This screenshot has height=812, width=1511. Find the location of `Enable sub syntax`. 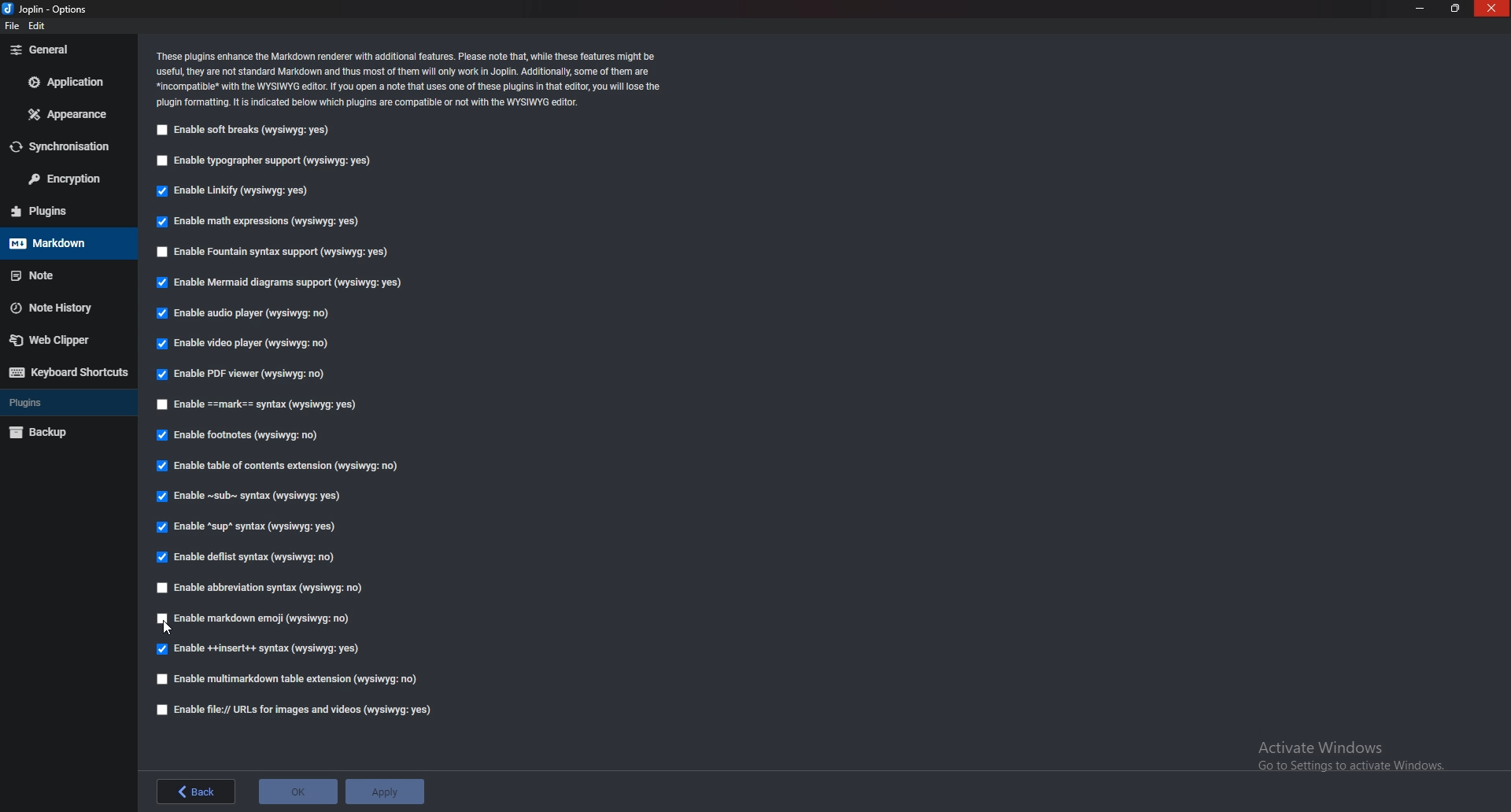

Enable sub syntax is located at coordinates (248, 496).